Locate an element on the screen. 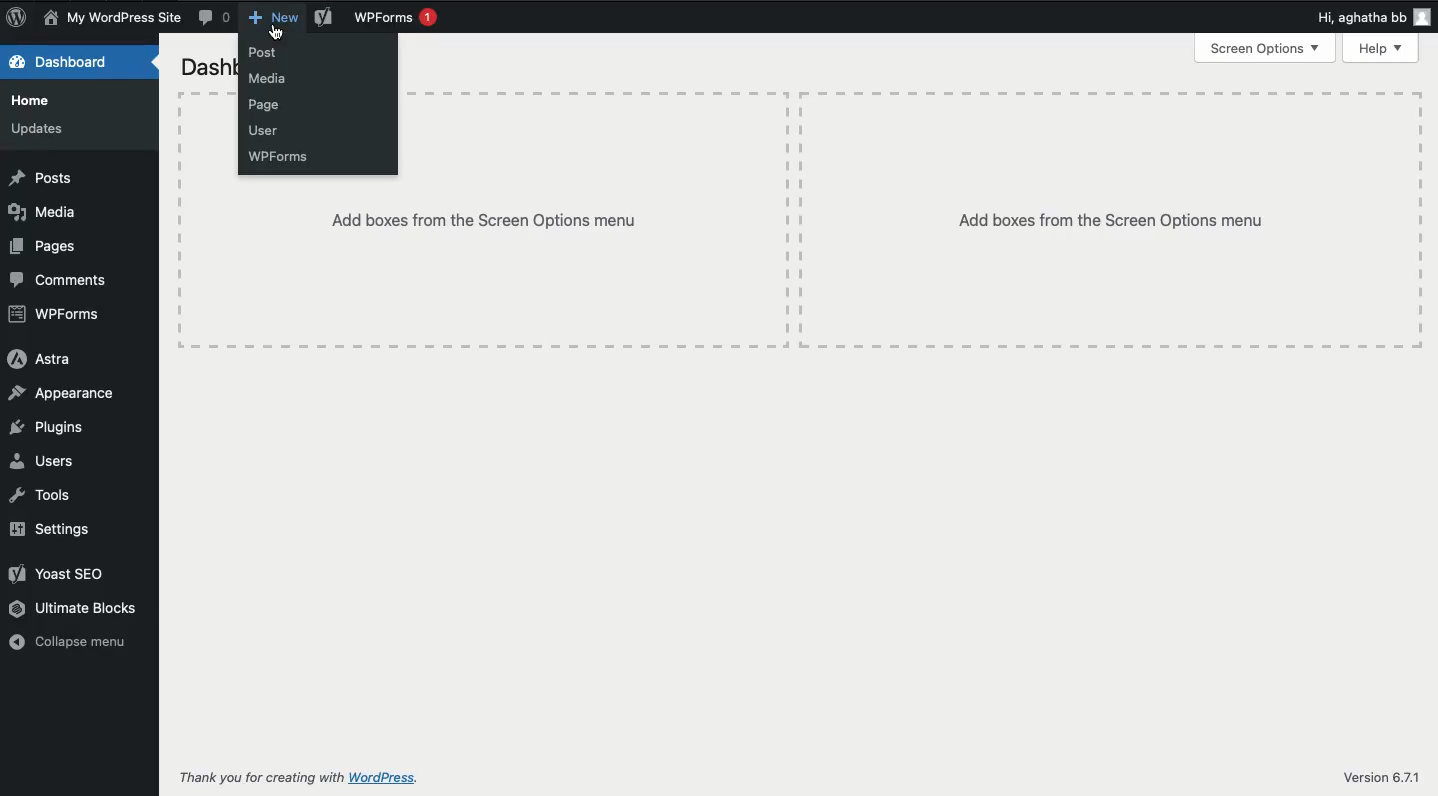  Tools is located at coordinates (43, 497).